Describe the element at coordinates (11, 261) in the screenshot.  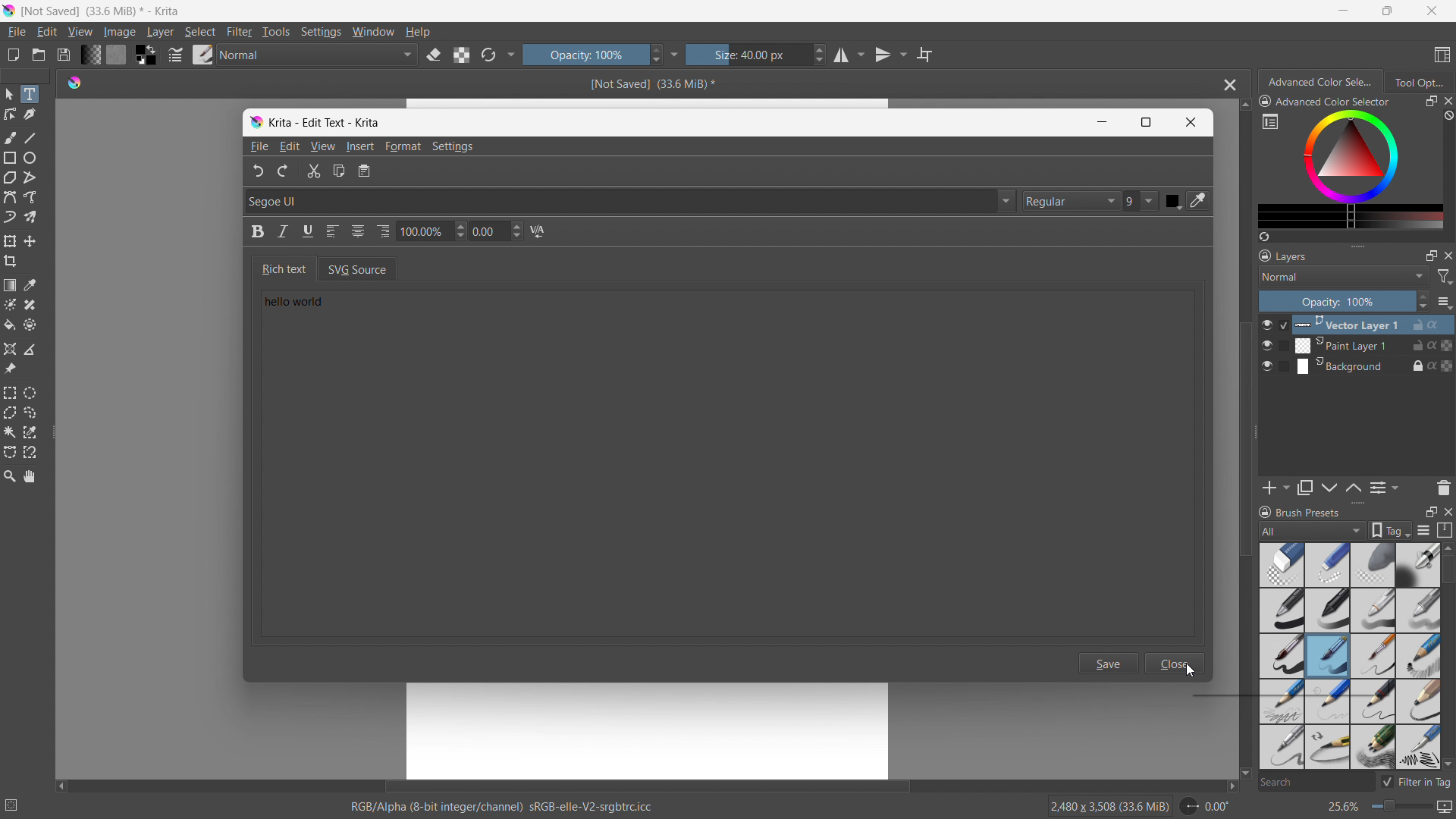
I see `crop the image to an area` at that location.